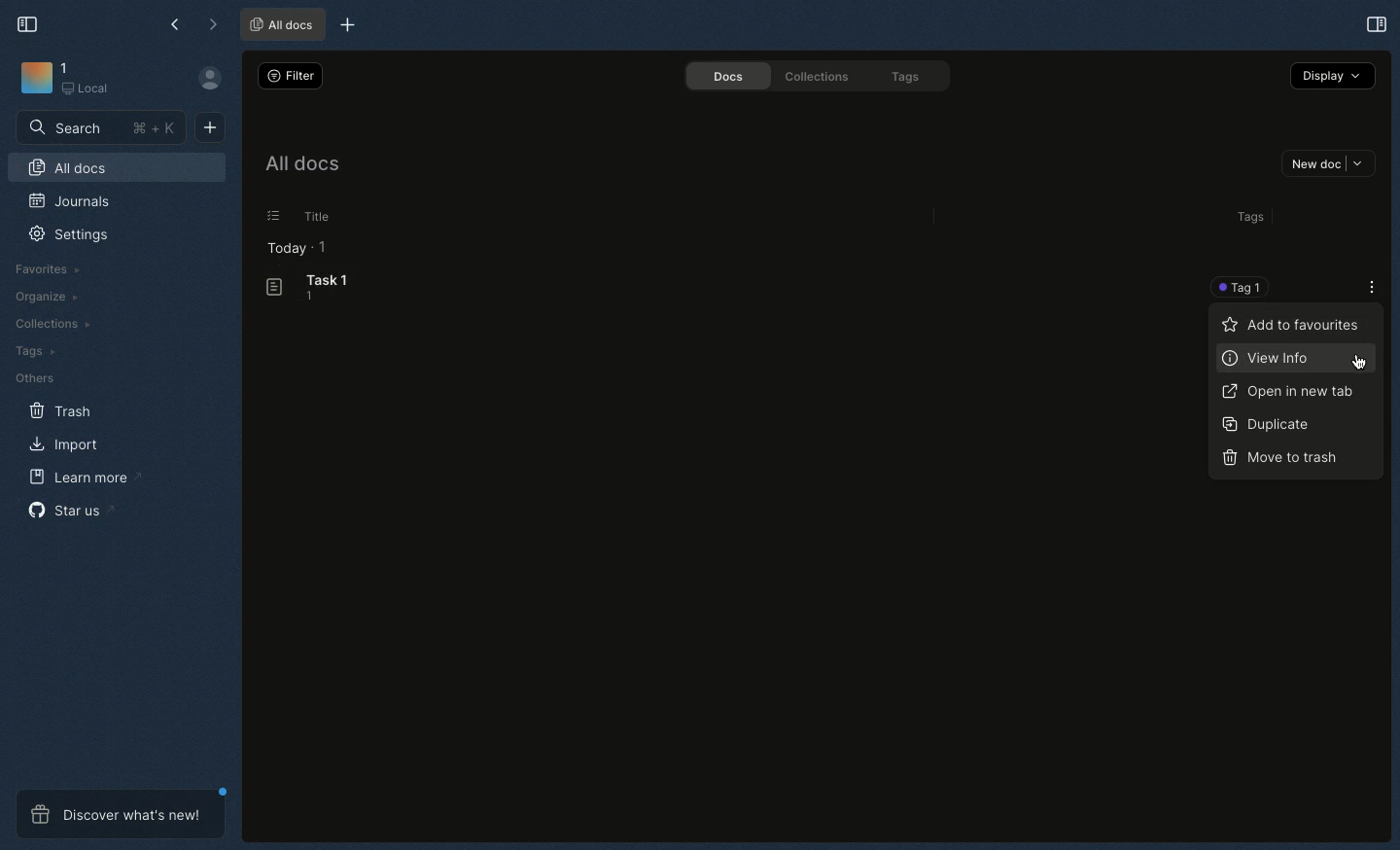 This screenshot has height=850, width=1400. What do you see at coordinates (64, 443) in the screenshot?
I see `Import` at bounding box center [64, 443].